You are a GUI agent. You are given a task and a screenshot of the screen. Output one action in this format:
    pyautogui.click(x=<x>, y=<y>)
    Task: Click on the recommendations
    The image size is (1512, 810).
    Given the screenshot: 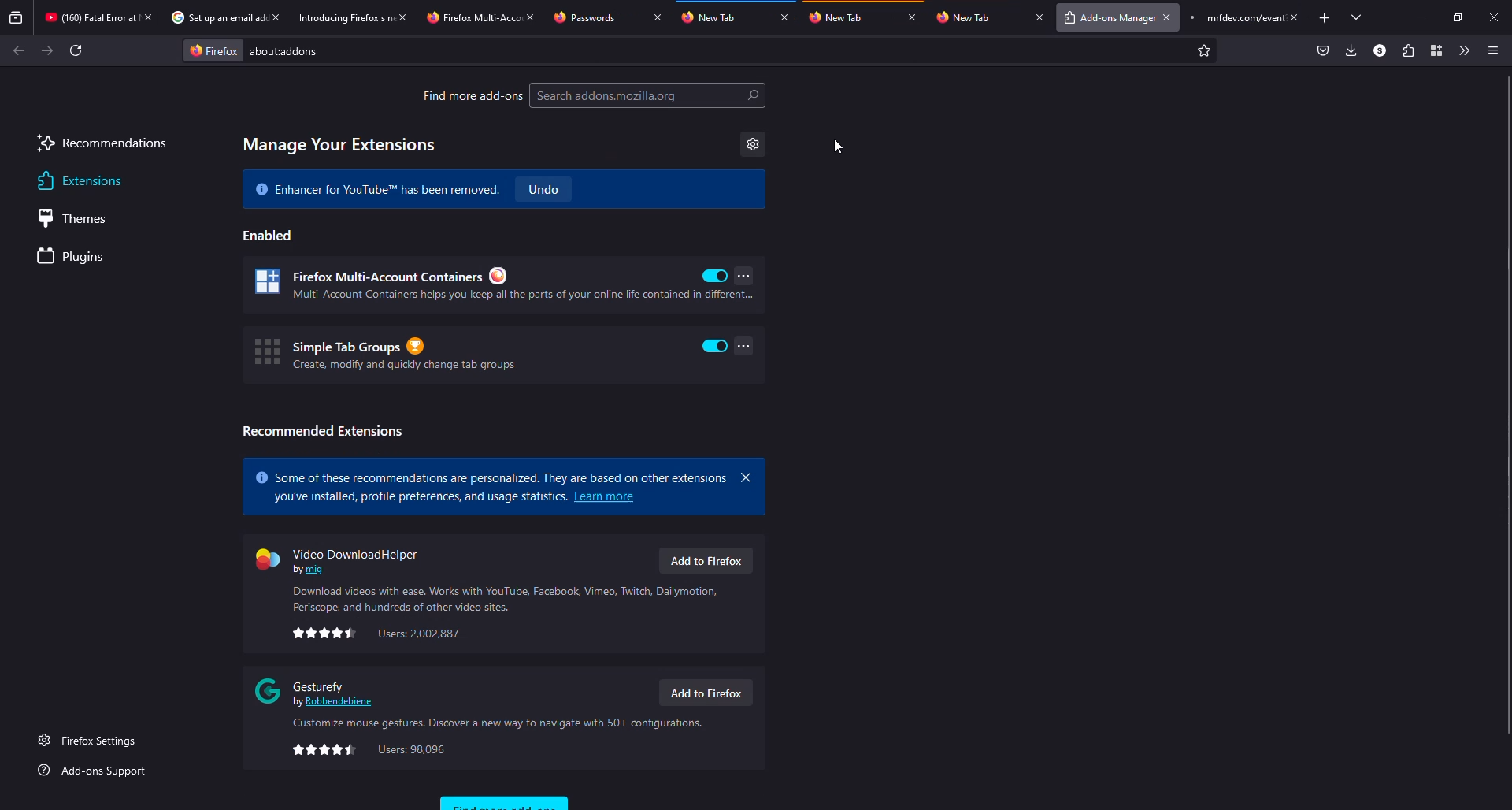 What is the action you would take?
    pyautogui.click(x=102, y=145)
    